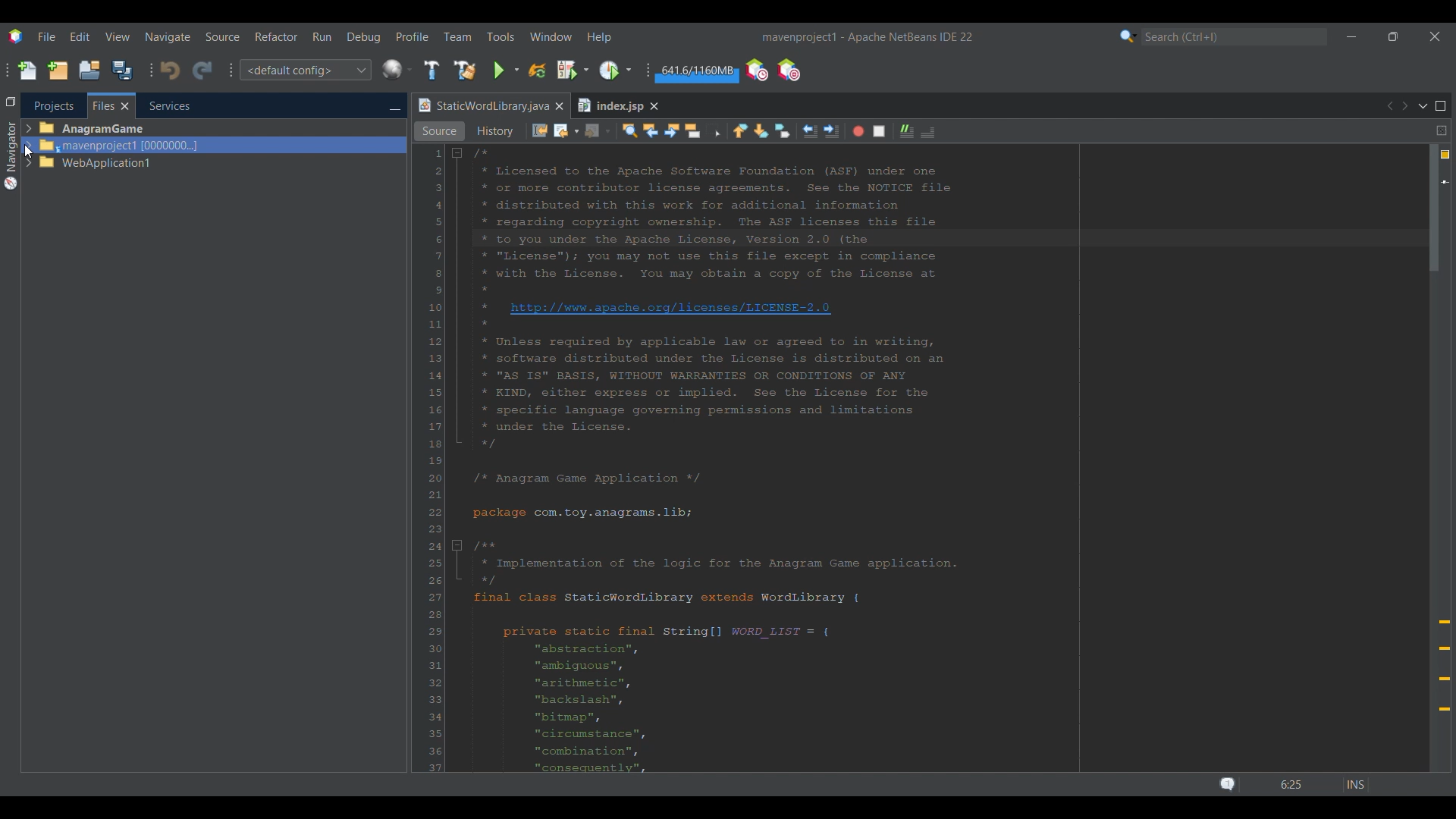  What do you see at coordinates (783, 130) in the screenshot?
I see `Toggle bookmark` at bounding box center [783, 130].